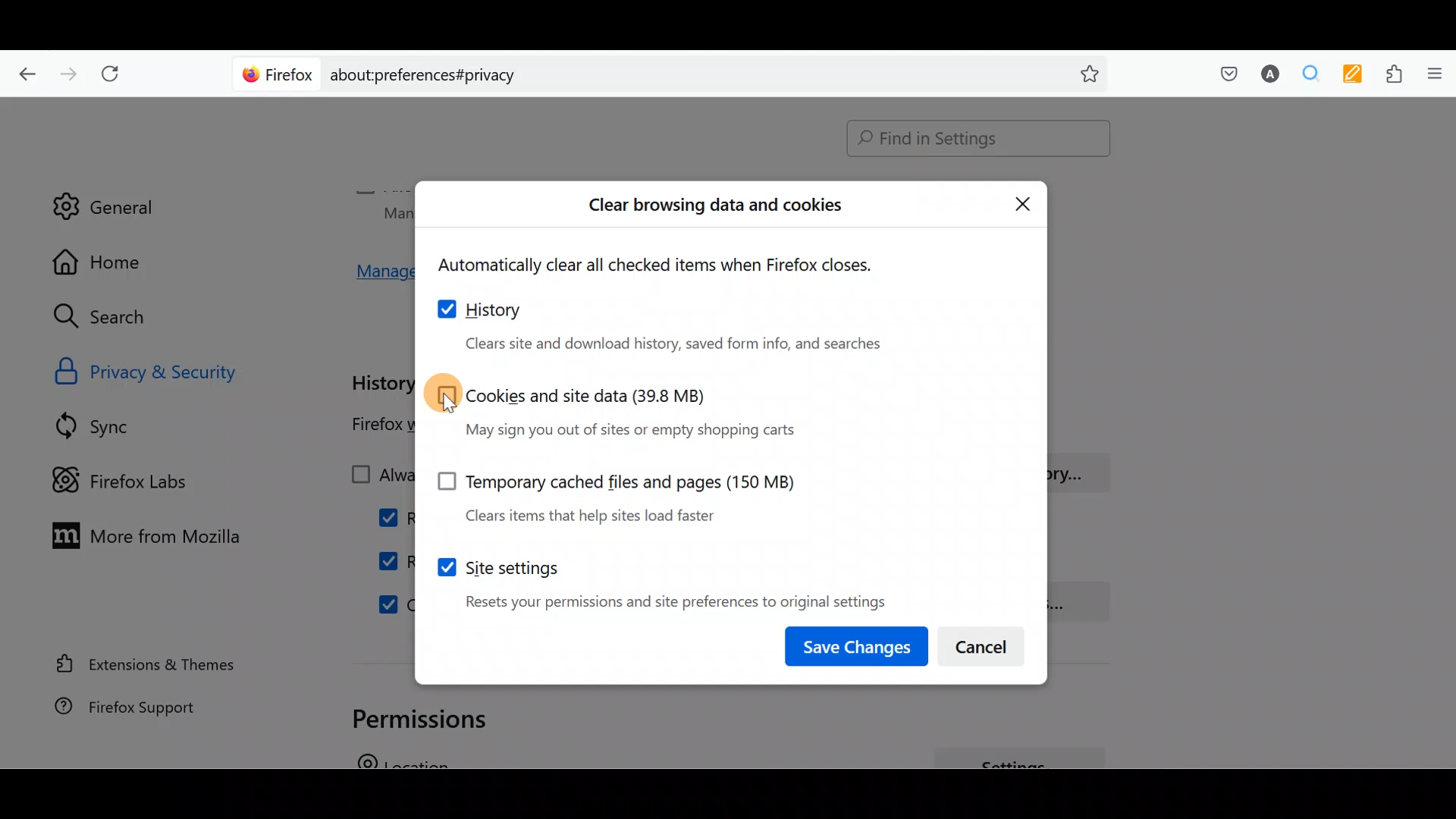 The height and width of the screenshot is (819, 1456). What do you see at coordinates (112, 262) in the screenshot?
I see `Home` at bounding box center [112, 262].